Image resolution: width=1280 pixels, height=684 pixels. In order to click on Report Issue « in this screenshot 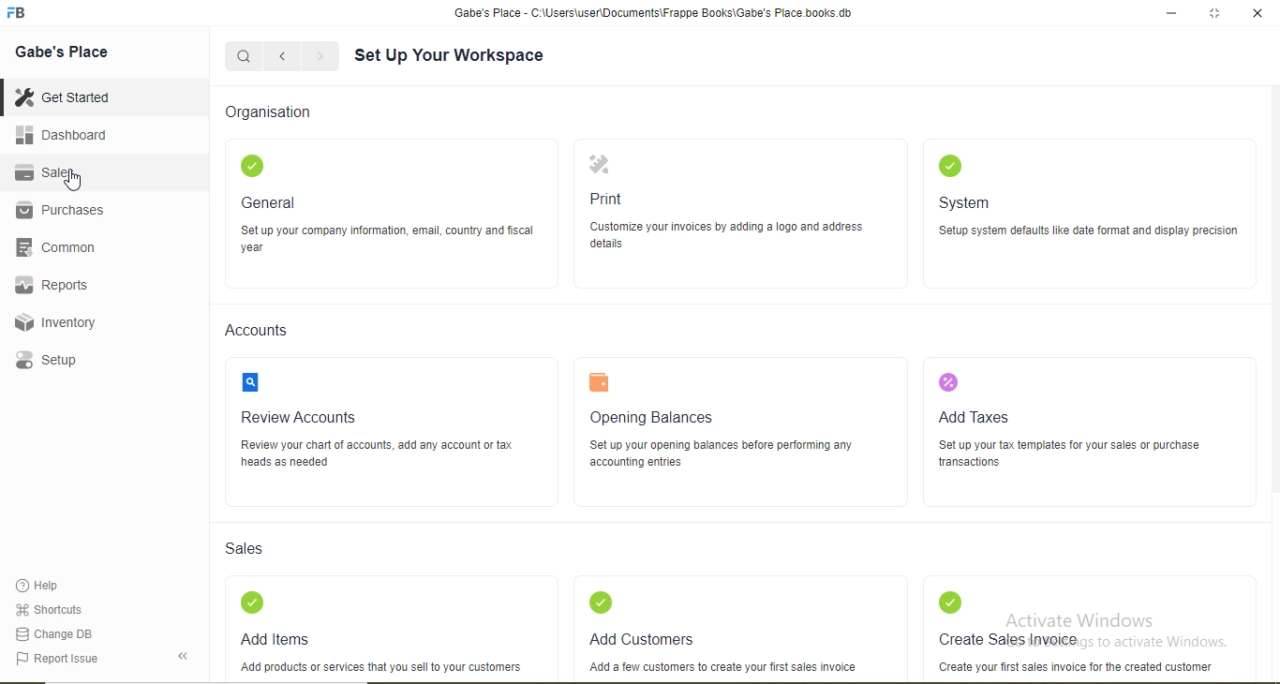, I will do `click(106, 659)`.